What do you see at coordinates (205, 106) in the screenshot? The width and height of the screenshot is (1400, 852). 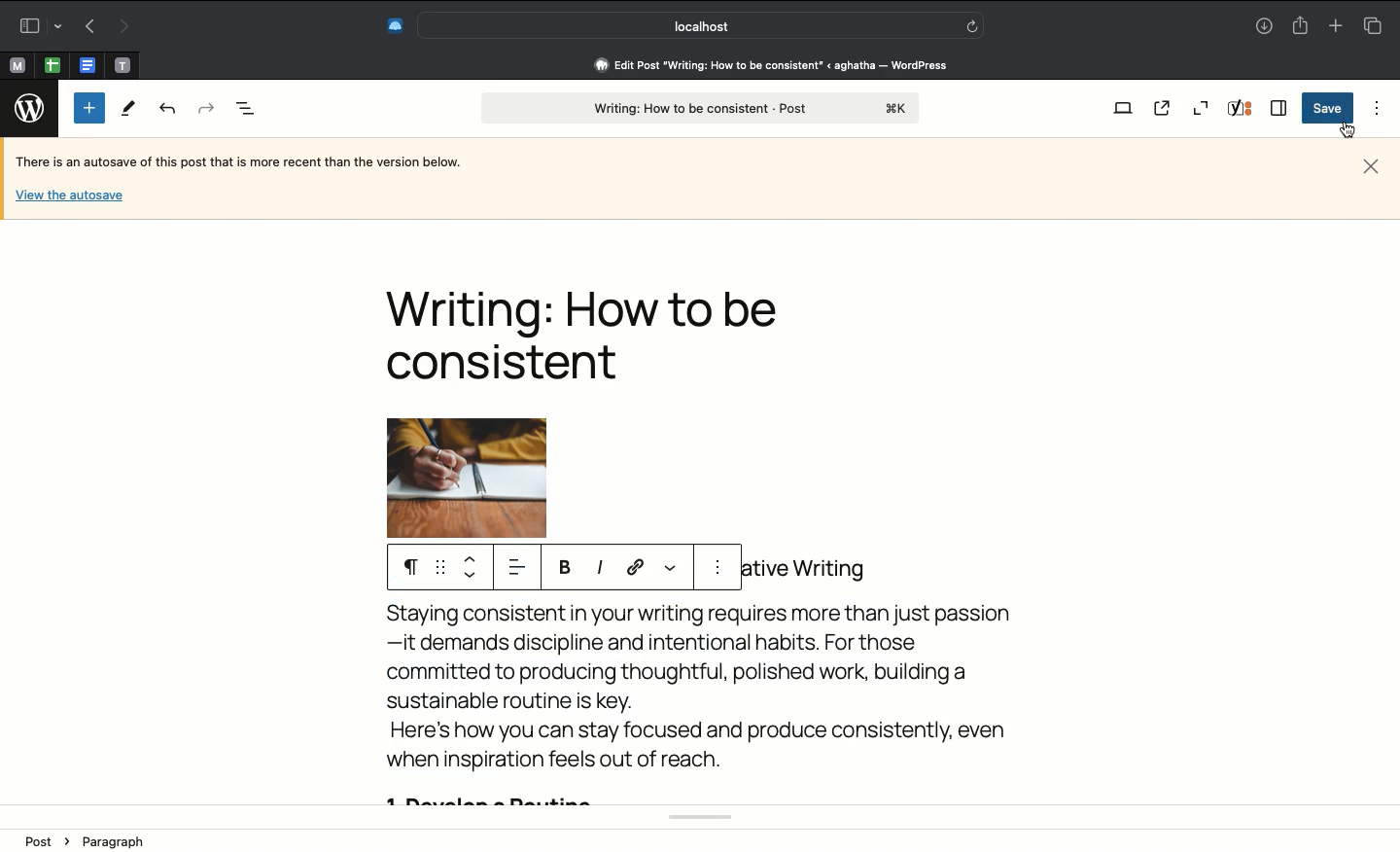 I see `Redo` at bounding box center [205, 106].